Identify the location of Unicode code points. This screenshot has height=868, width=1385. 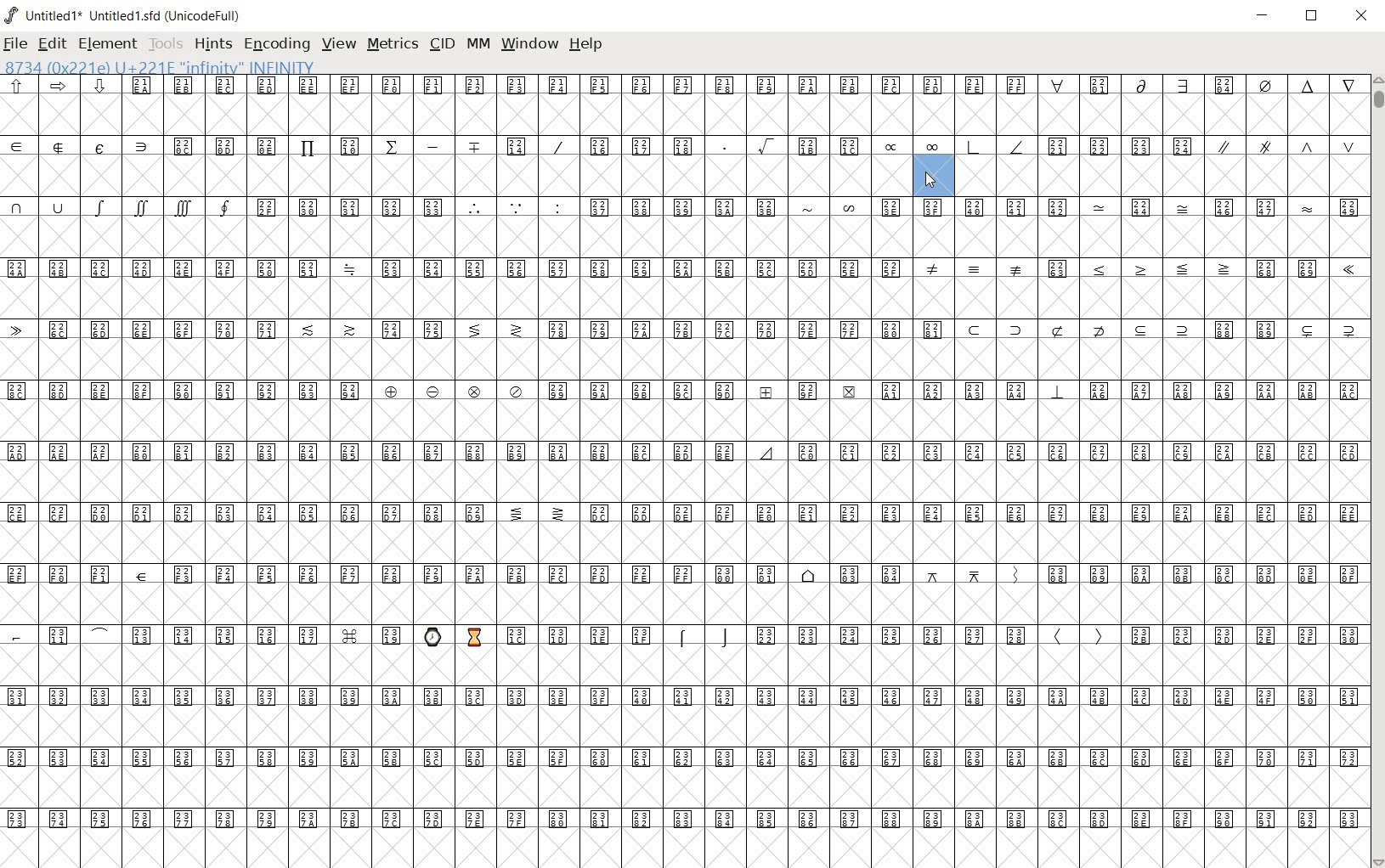
(683, 208).